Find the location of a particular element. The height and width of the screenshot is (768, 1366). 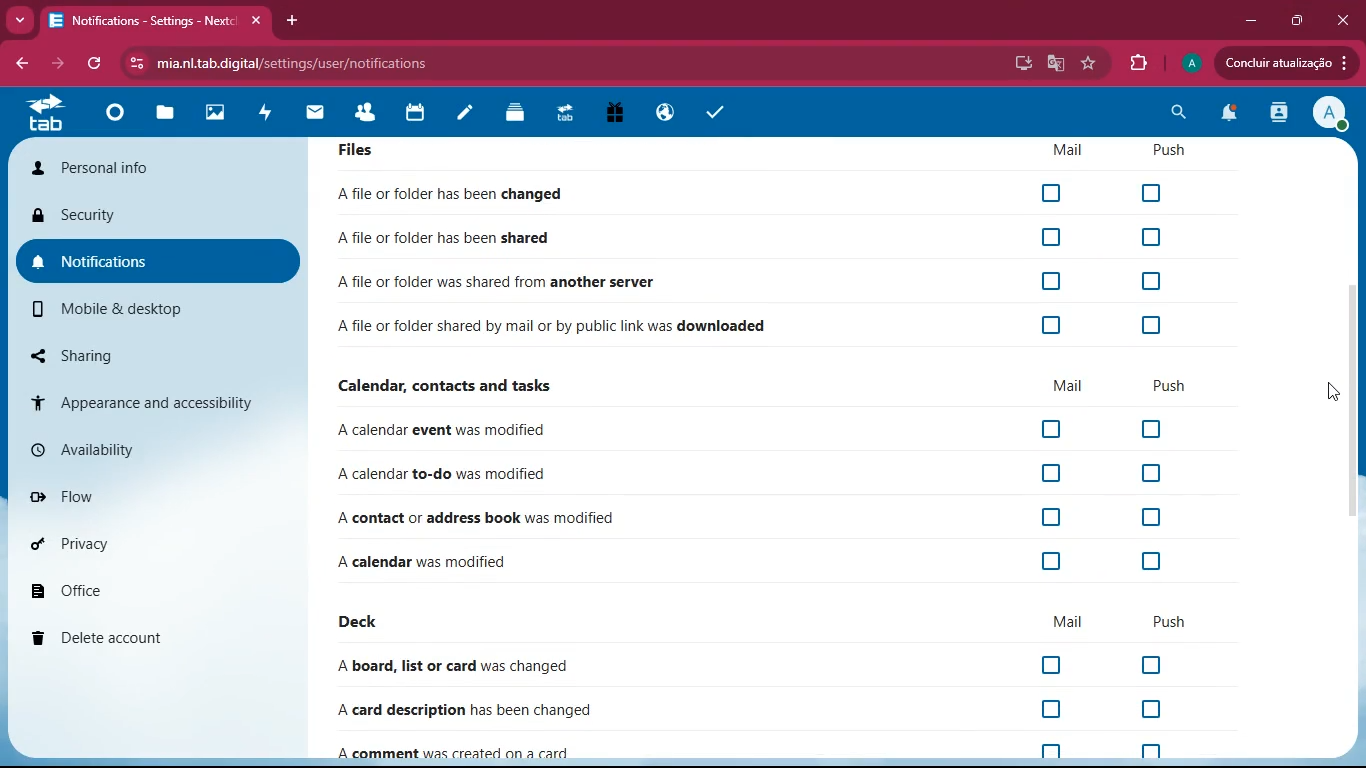

Checkbox is located at coordinates (1049, 327).